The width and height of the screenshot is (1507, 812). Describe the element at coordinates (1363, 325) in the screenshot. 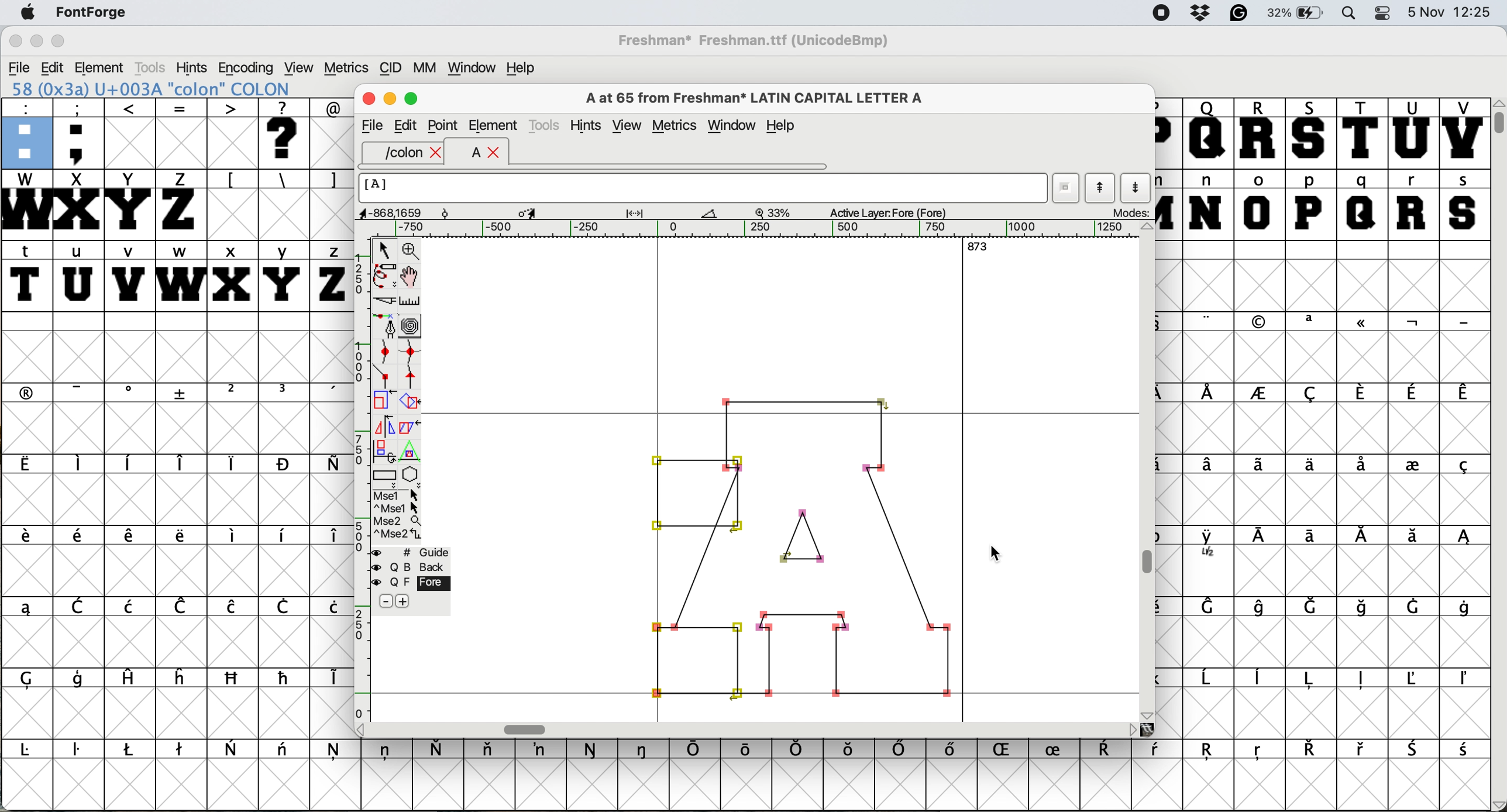

I see `symbol` at that location.